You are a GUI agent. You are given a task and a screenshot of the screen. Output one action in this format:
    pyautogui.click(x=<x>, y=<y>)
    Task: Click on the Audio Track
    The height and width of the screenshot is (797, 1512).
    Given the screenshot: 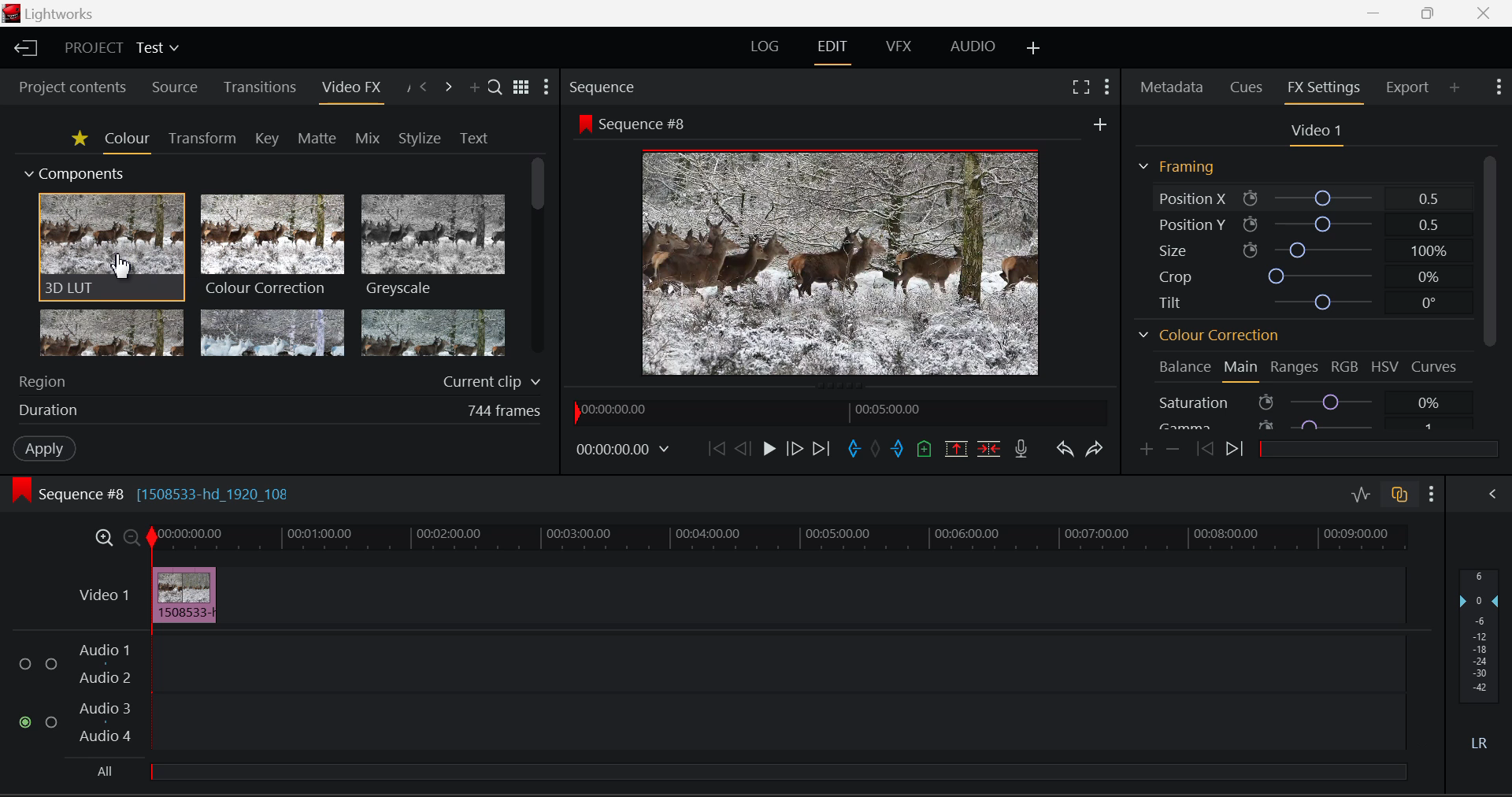 What is the action you would take?
    pyautogui.click(x=779, y=661)
    